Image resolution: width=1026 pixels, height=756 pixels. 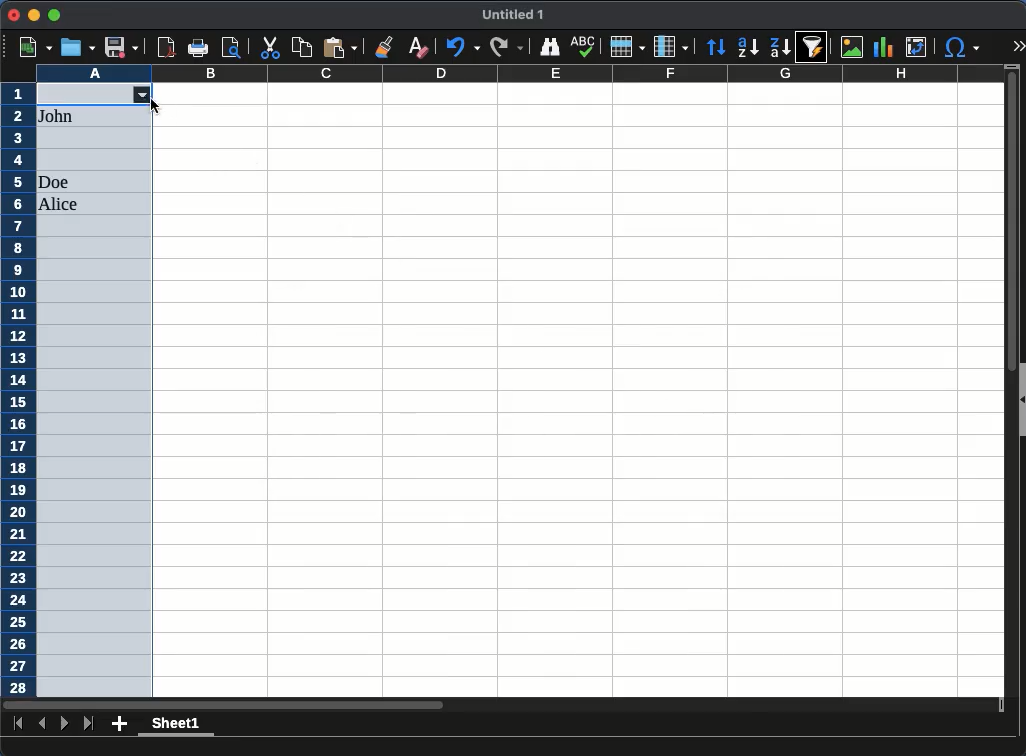 What do you see at coordinates (918, 47) in the screenshot?
I see `pivot table` at bounding box center [918, 47].